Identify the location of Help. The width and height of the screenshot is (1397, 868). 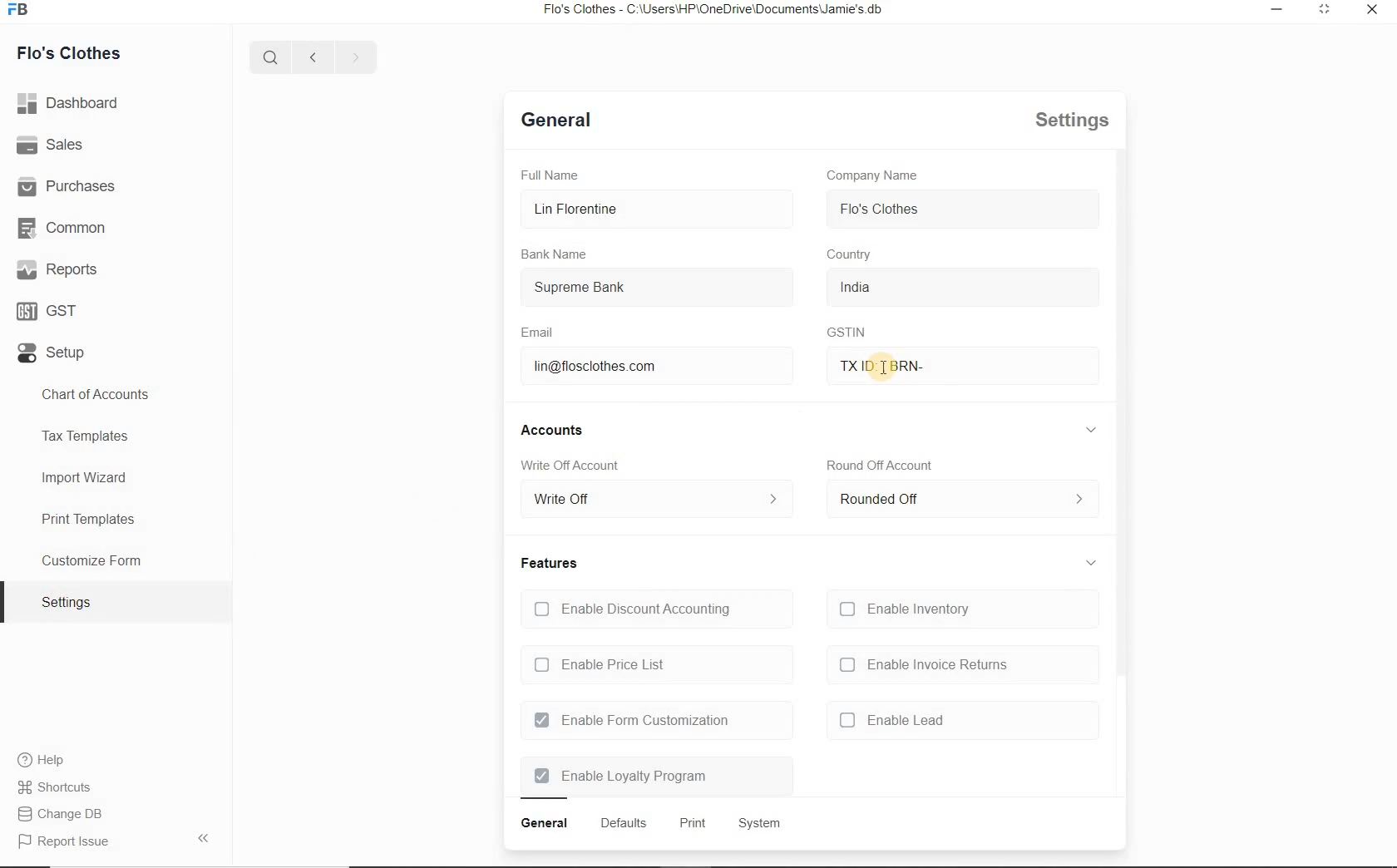
(47, 760).